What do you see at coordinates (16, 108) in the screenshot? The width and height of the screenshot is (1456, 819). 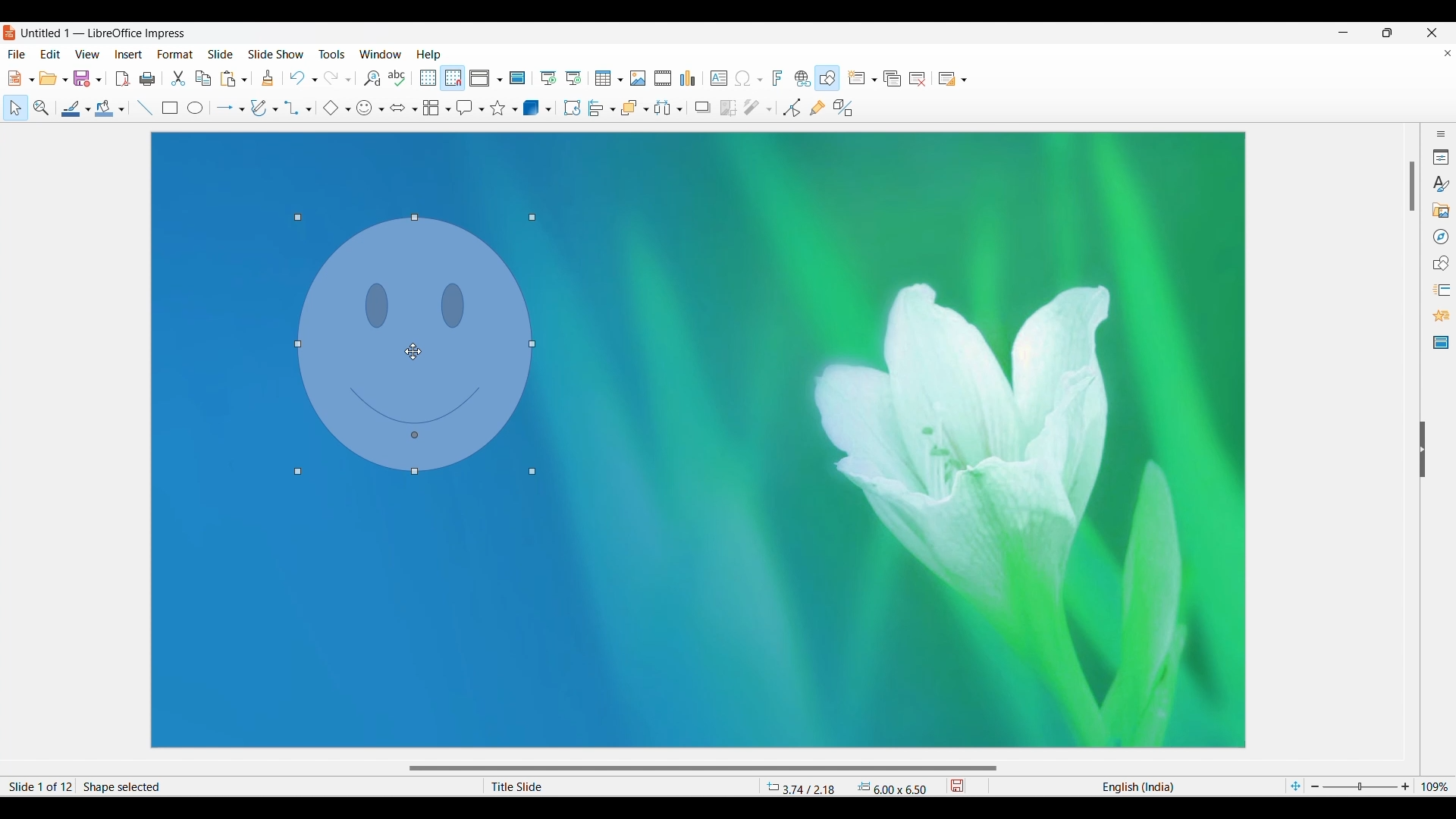 I see `Select` at bounding box center [16, 108].